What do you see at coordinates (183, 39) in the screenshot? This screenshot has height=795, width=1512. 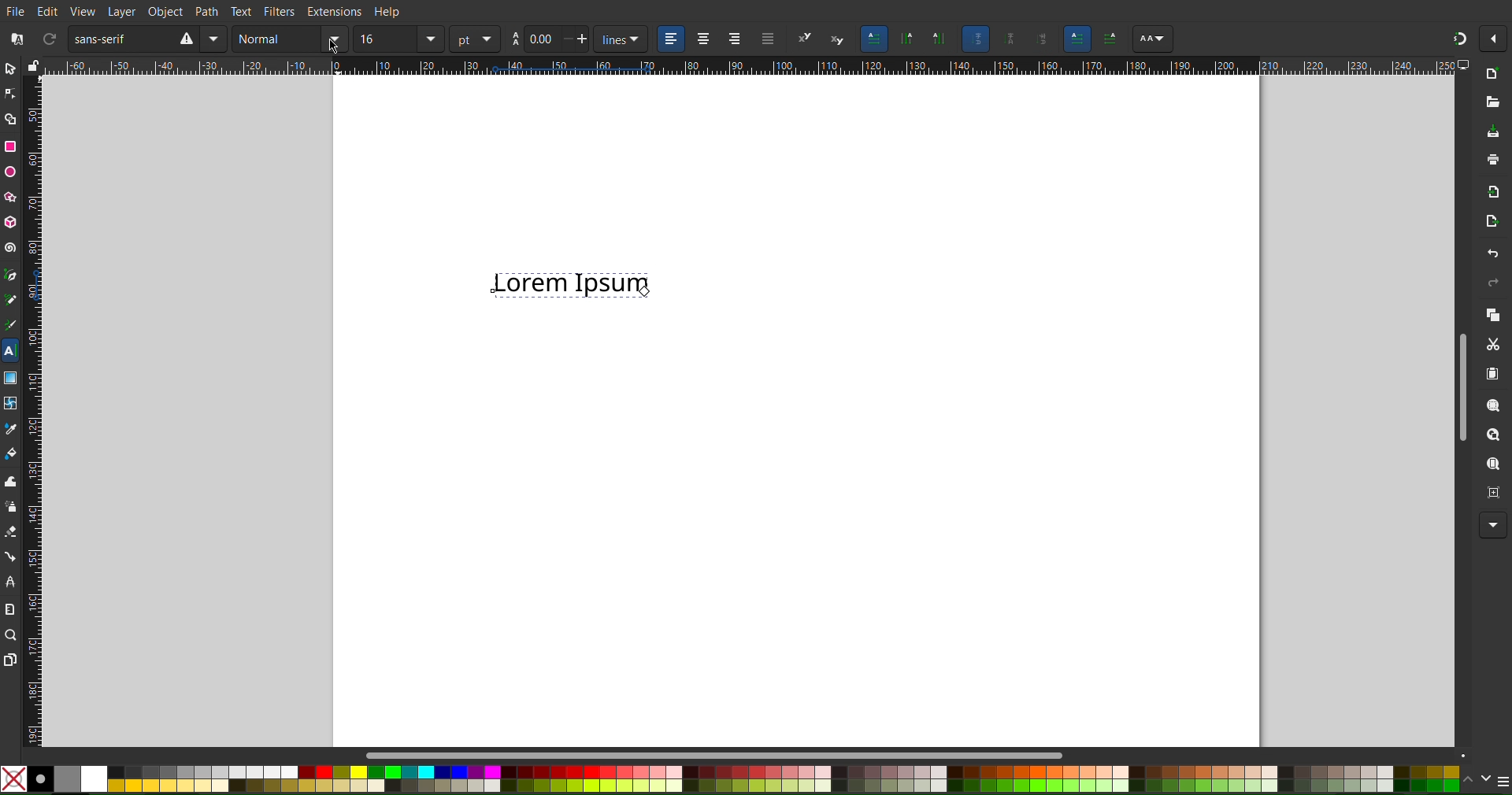 I see `Rotate CW` at bounding box center [183, 39].